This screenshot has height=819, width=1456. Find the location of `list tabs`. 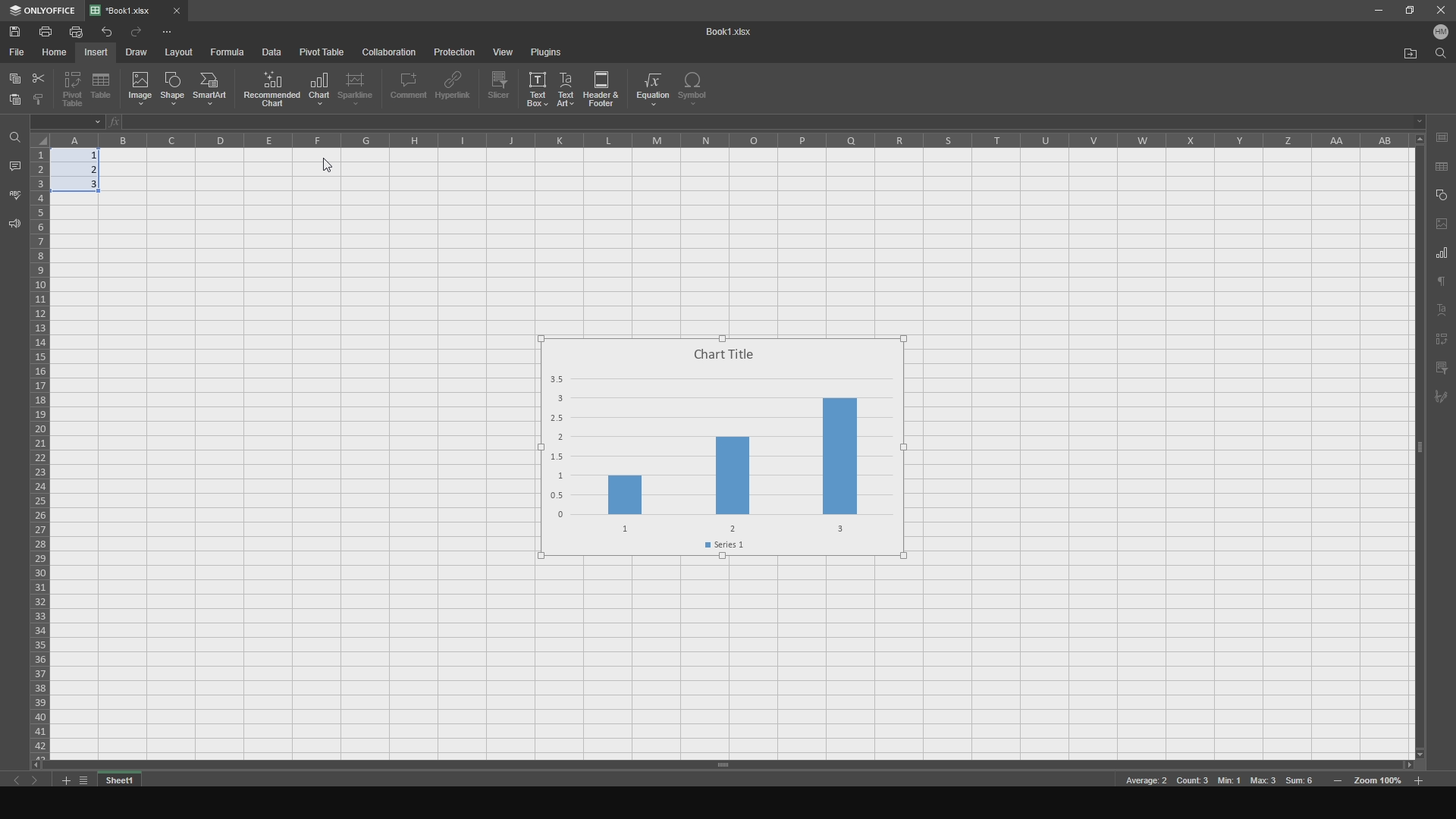

list tabs is located at coordinates (86, 780).